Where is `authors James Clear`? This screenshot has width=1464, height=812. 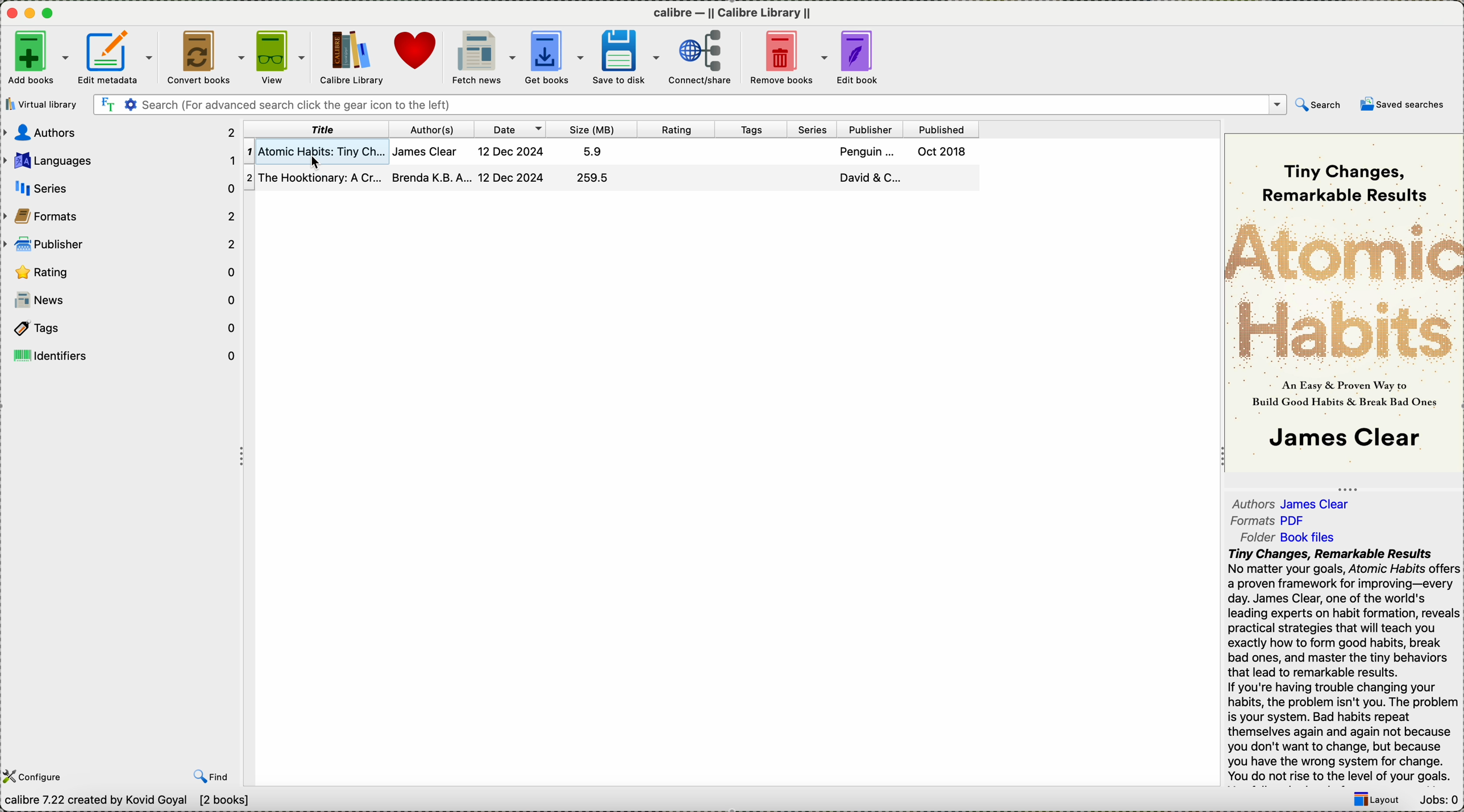 authors James Clear is located at coordinates (1290, 502).